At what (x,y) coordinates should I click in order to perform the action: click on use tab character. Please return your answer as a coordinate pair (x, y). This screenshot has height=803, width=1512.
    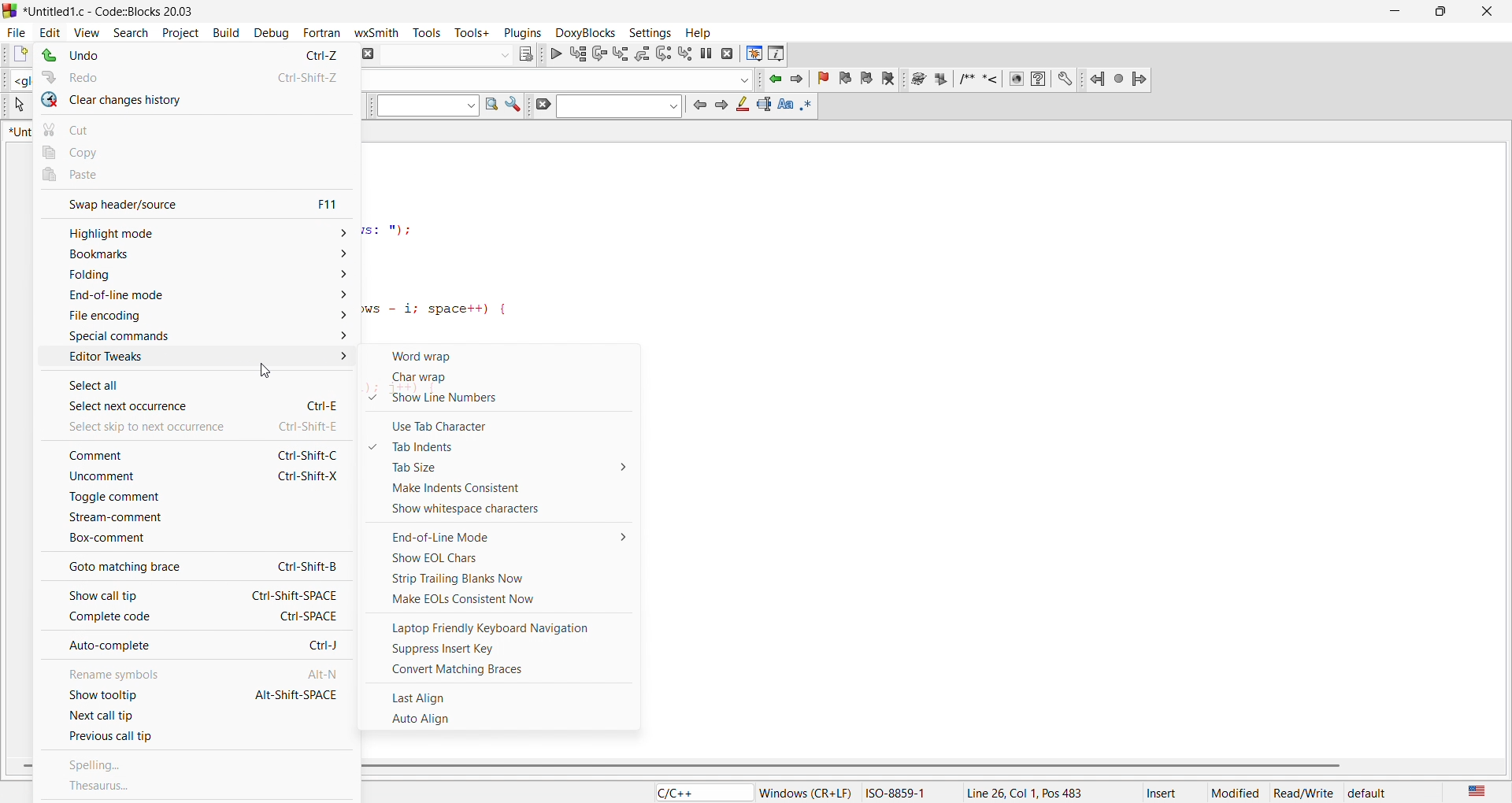
    Looking at the image, I should click on (508, 424).